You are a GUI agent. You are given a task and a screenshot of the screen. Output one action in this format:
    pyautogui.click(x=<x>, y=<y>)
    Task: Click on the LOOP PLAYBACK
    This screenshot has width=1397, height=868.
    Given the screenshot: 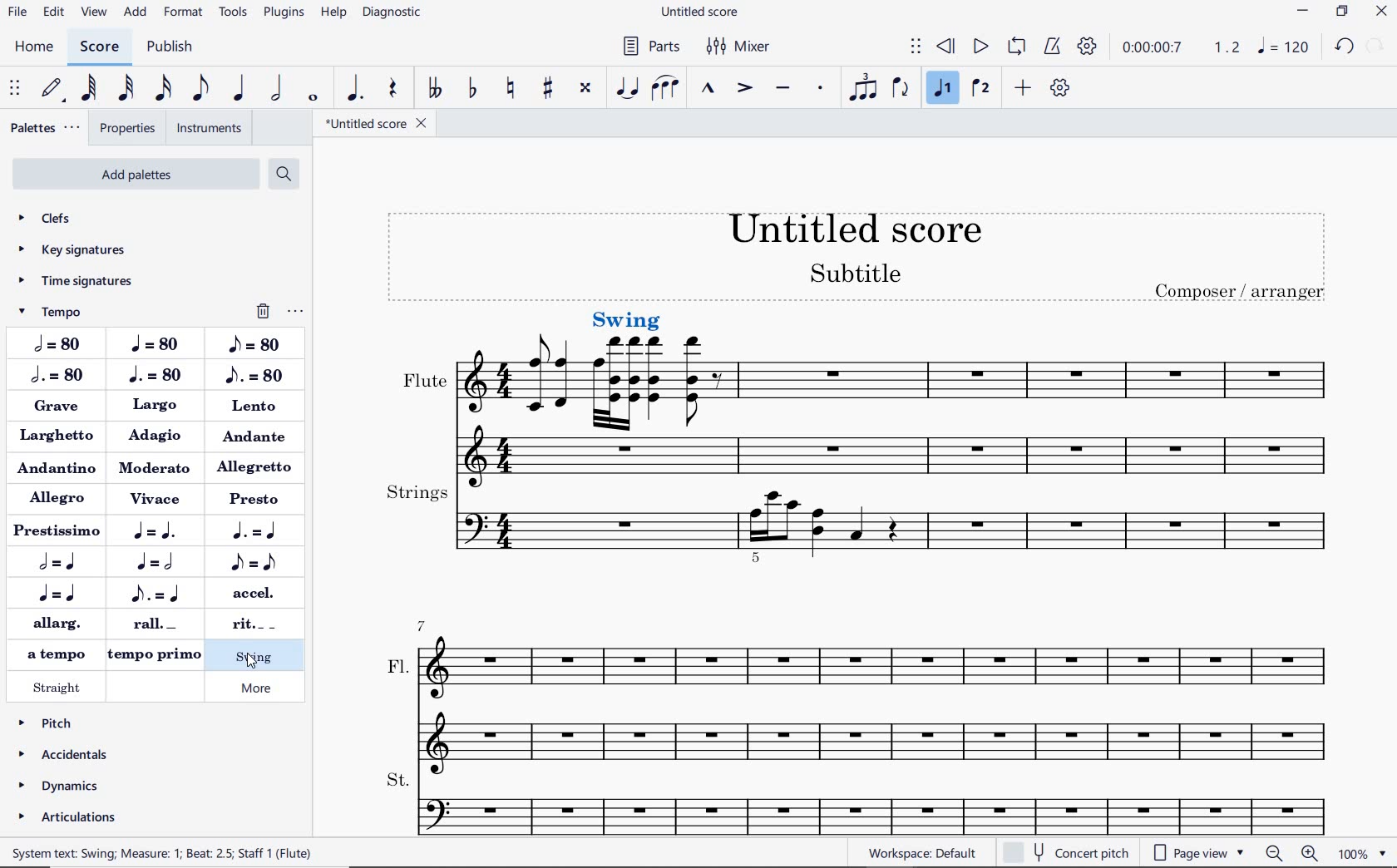 What is the action you would take?
    pyautogui.click(x=1017, y=47)
    